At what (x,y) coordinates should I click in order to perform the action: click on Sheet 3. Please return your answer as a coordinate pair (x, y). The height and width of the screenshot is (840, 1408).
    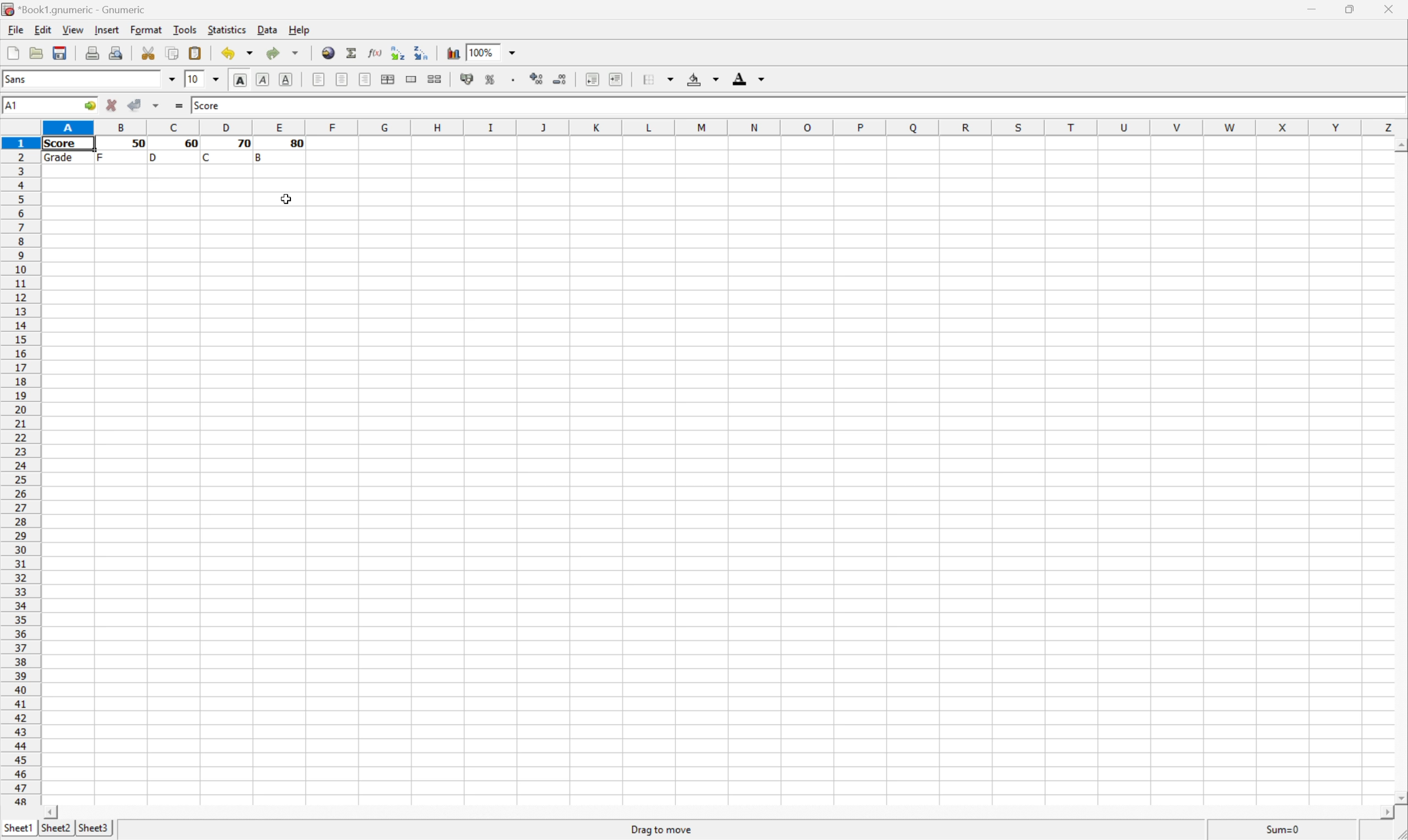
    Looking at the image, I should click on (95, 829).